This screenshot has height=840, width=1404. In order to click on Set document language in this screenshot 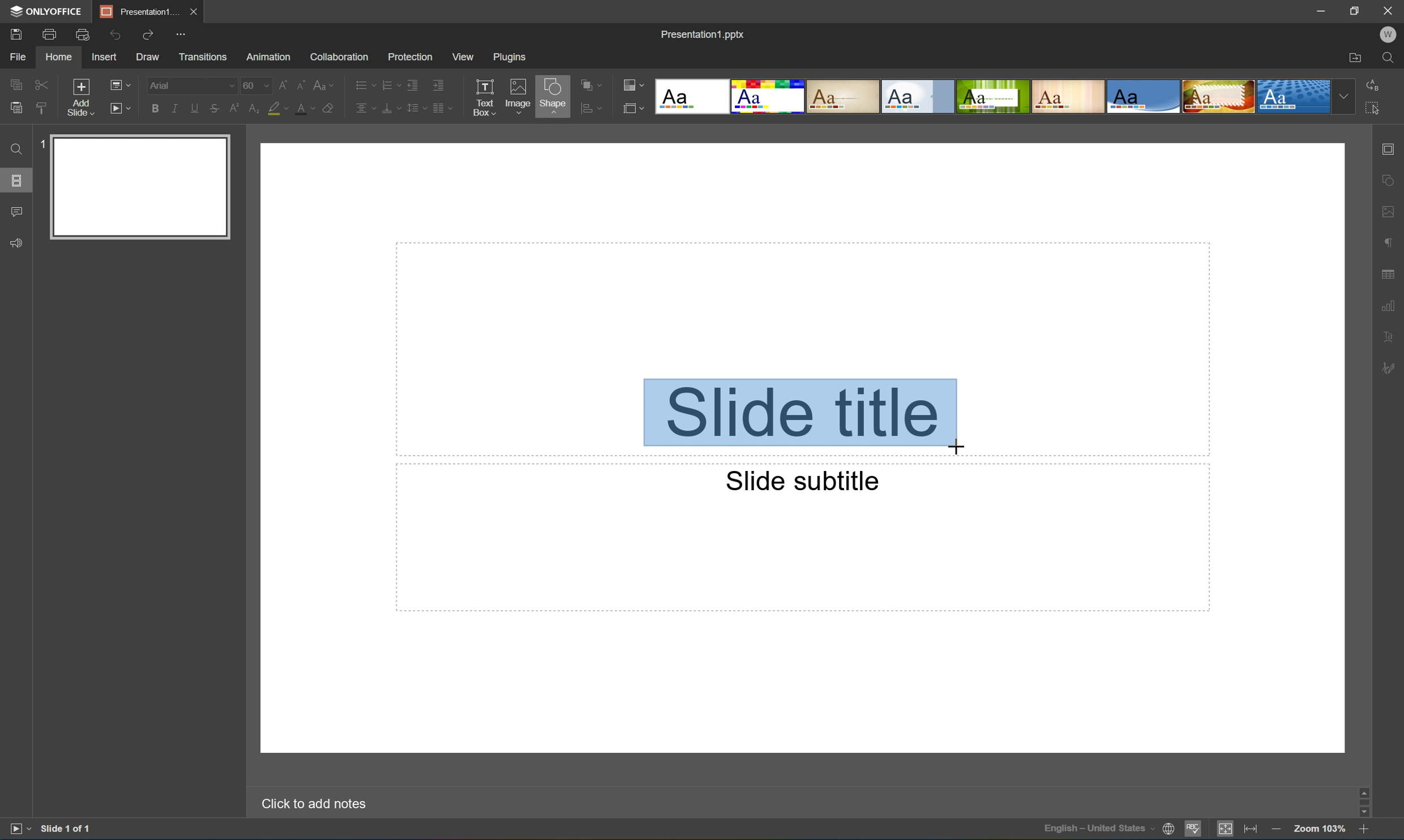, I will do `click(1168, 830)`.